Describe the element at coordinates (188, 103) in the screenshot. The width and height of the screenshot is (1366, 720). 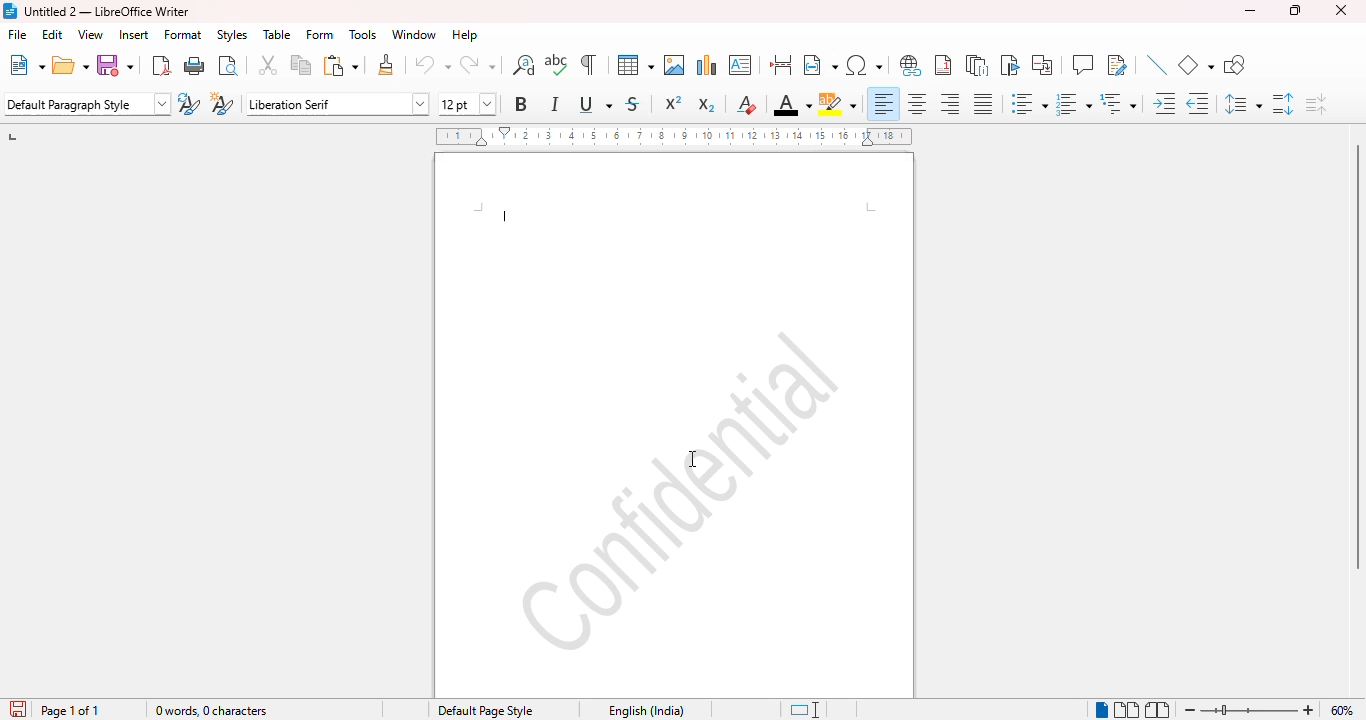
I see `update selected style` at that location.